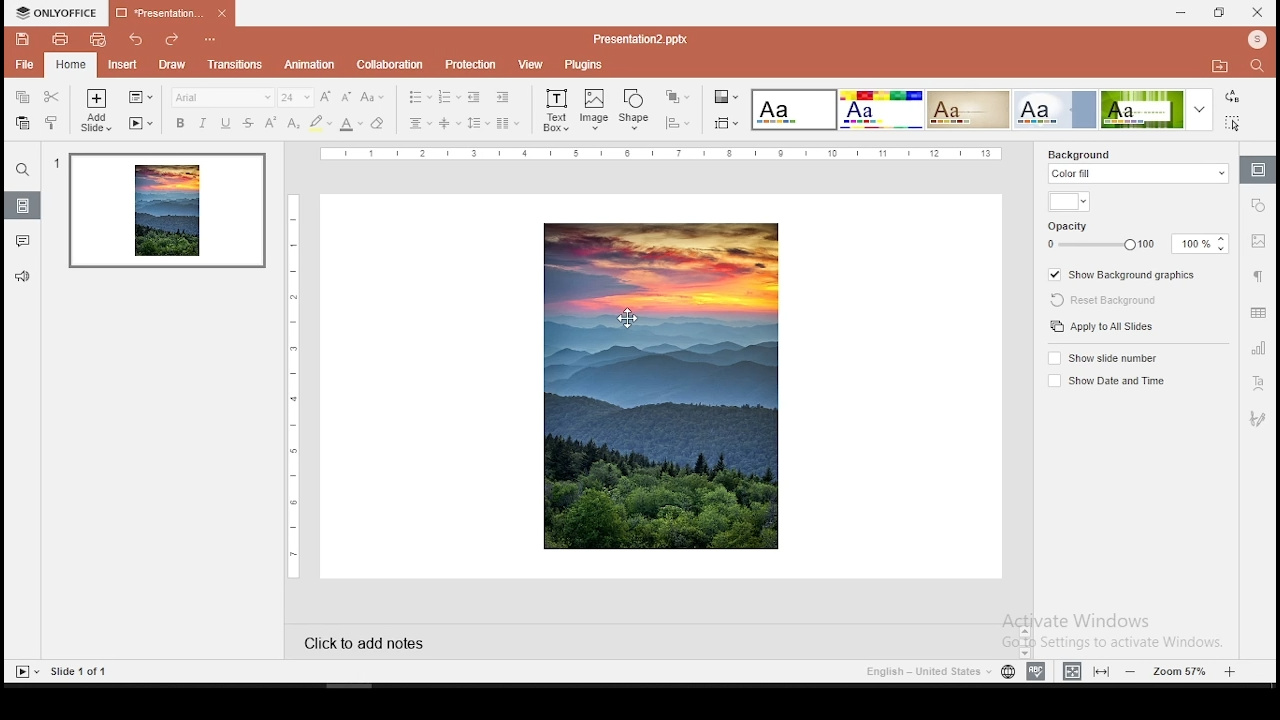 The image size is (1280, 720). Describe the element at coordinates (52, 97) in the screenshot. I see `cut` at that location.